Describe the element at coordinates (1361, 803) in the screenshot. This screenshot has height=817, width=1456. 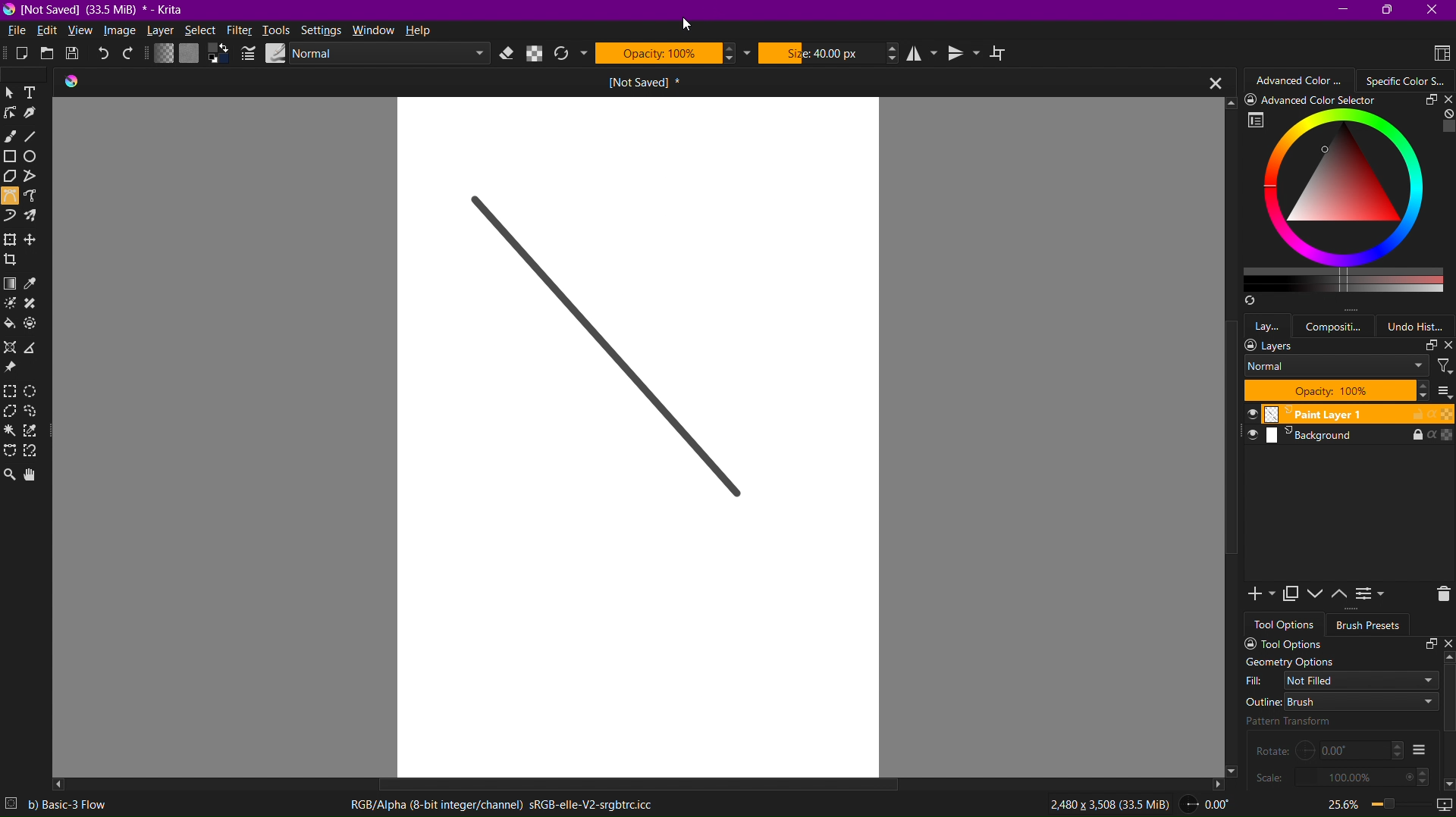
I see `Zoom` at that location.